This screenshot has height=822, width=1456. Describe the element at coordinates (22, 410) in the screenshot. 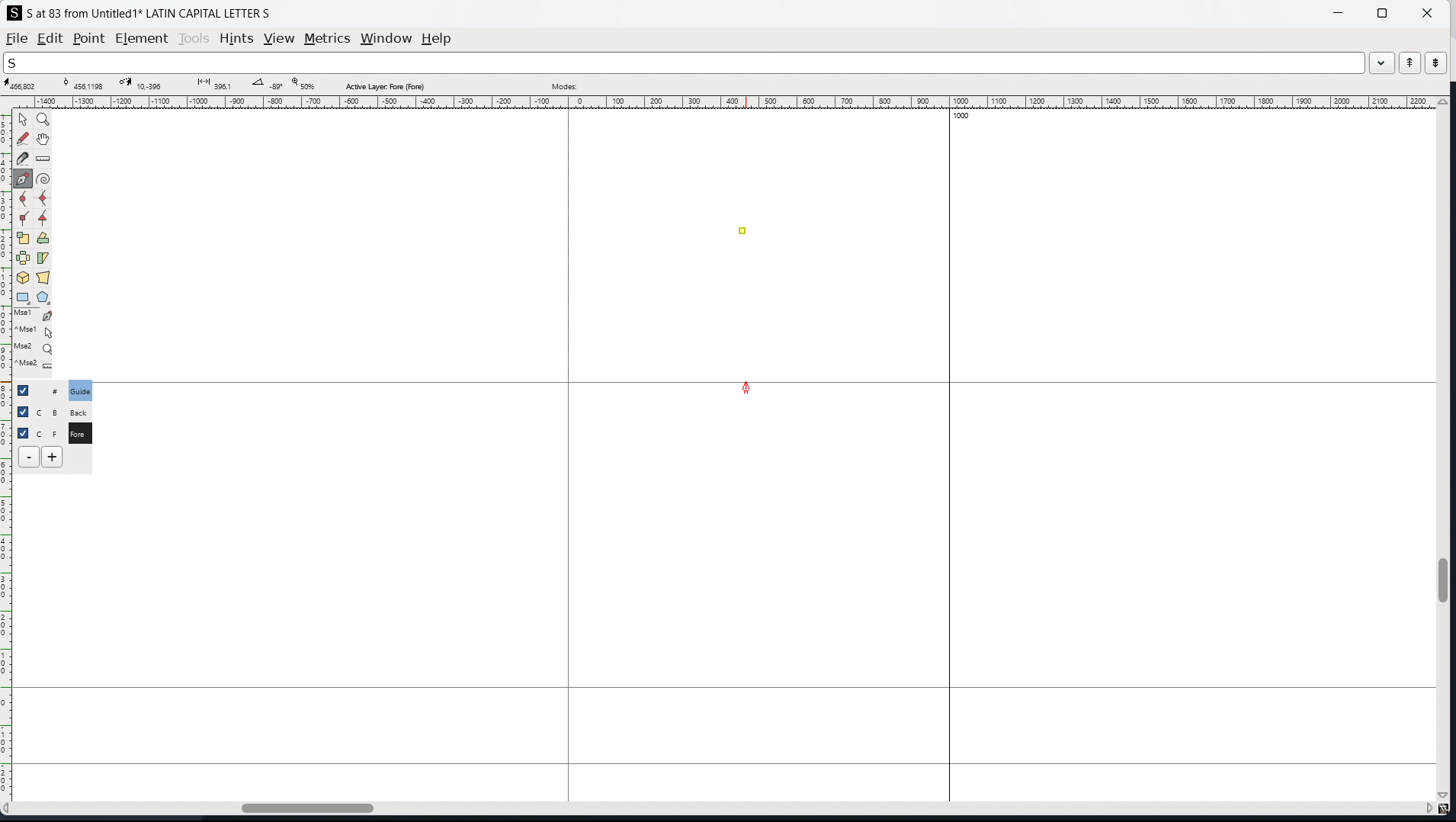

I see `checkbox` at that location.